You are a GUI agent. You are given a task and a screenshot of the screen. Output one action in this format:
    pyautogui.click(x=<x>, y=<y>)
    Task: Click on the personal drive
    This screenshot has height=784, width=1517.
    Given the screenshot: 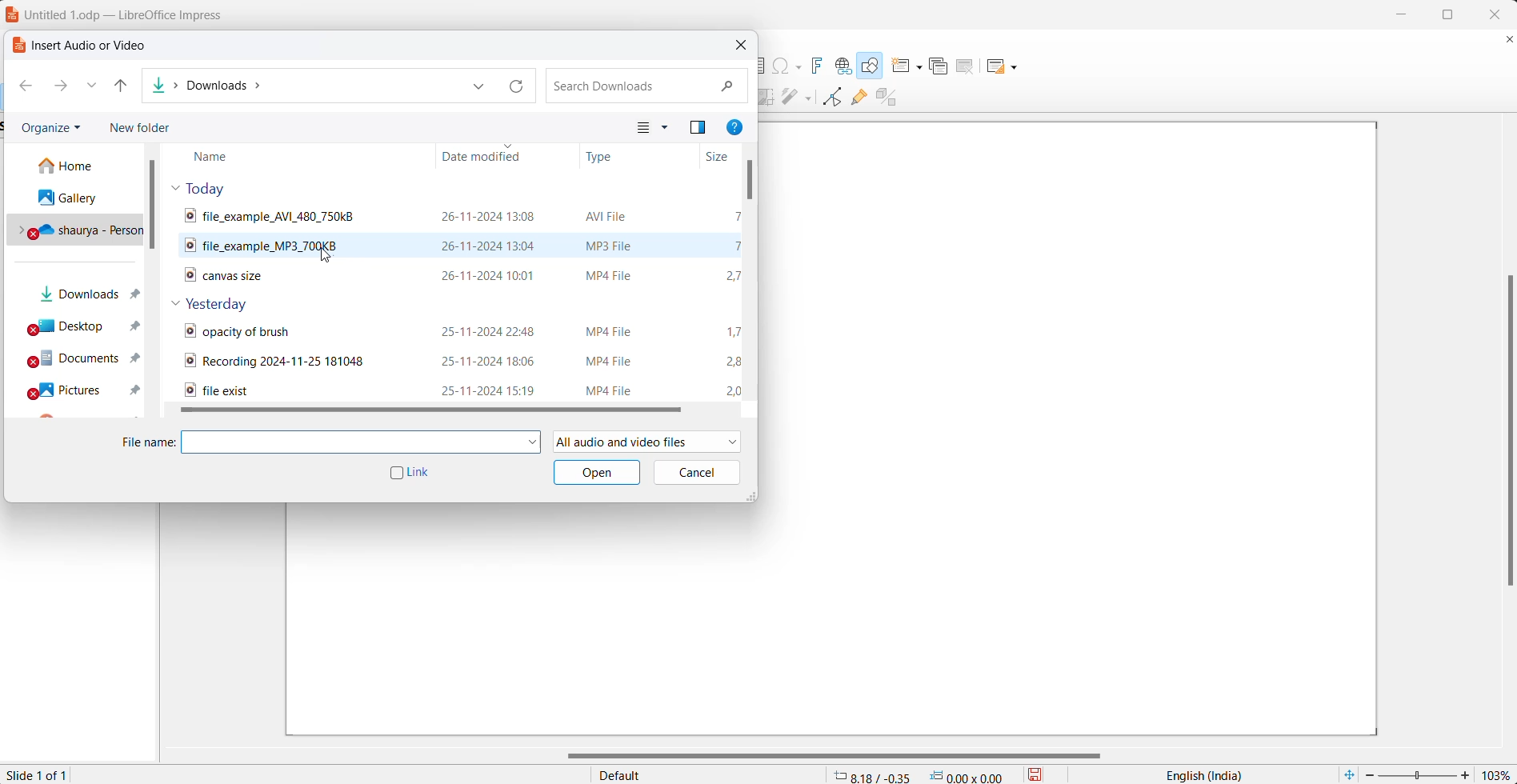 What is the action you would take?
    pyautogui.click(x=78, y=229)
    